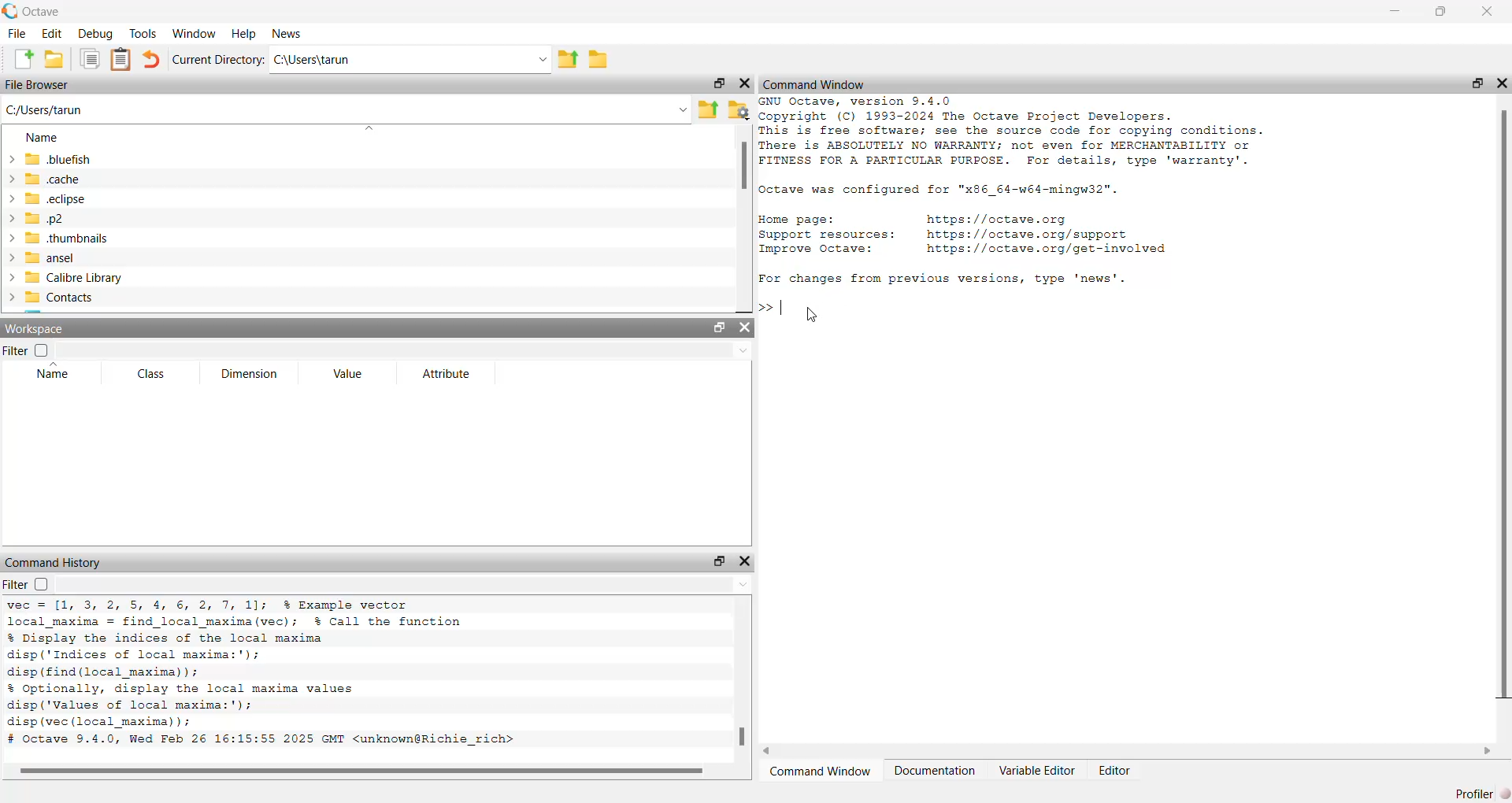  What do you see at coordinates (27, 586) in the screenshot?
I see `Filter` at bounding box center [27, 586].